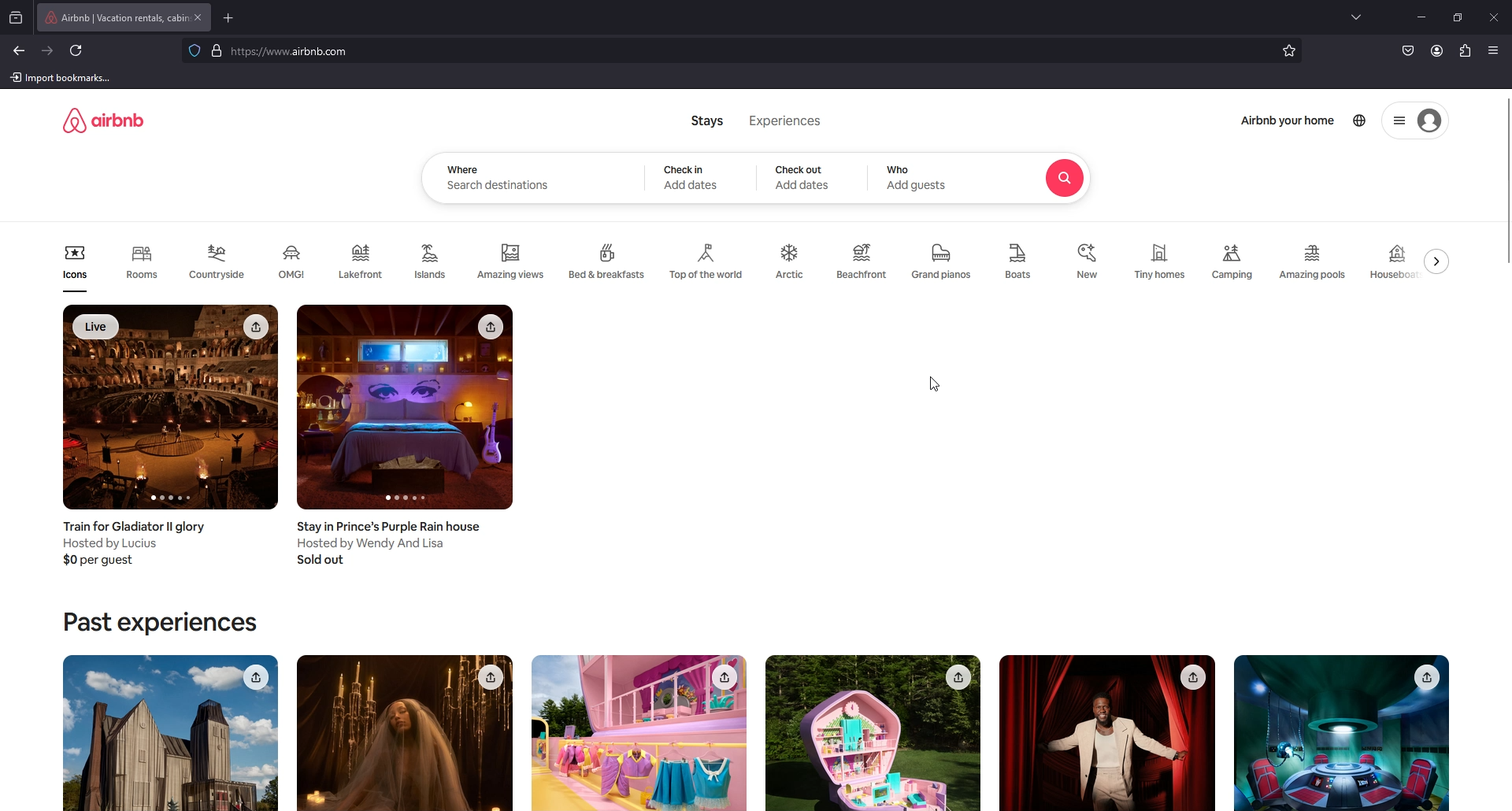 The image size is (1512, 811). I want to click on tab, so click(113, 17).